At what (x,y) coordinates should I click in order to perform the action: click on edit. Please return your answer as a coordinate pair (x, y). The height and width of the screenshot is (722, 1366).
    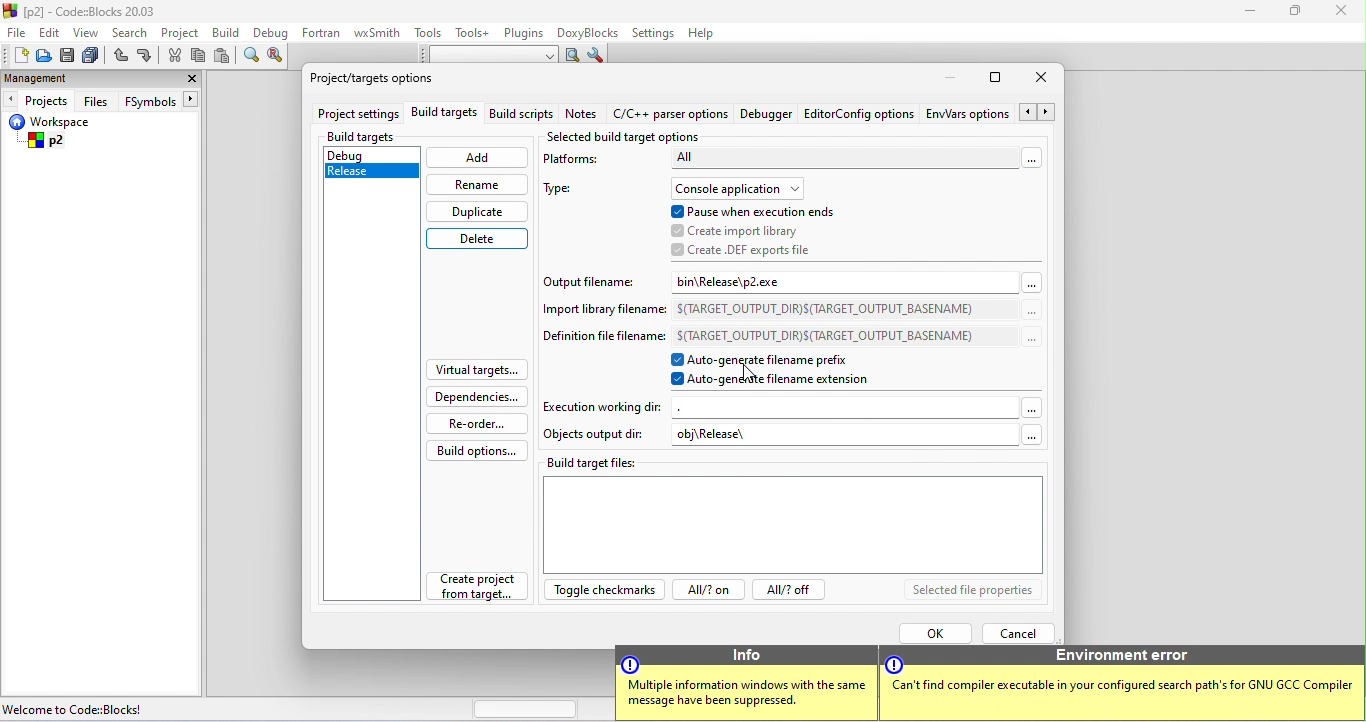
    Looking at the image, I should click on (51, 34).